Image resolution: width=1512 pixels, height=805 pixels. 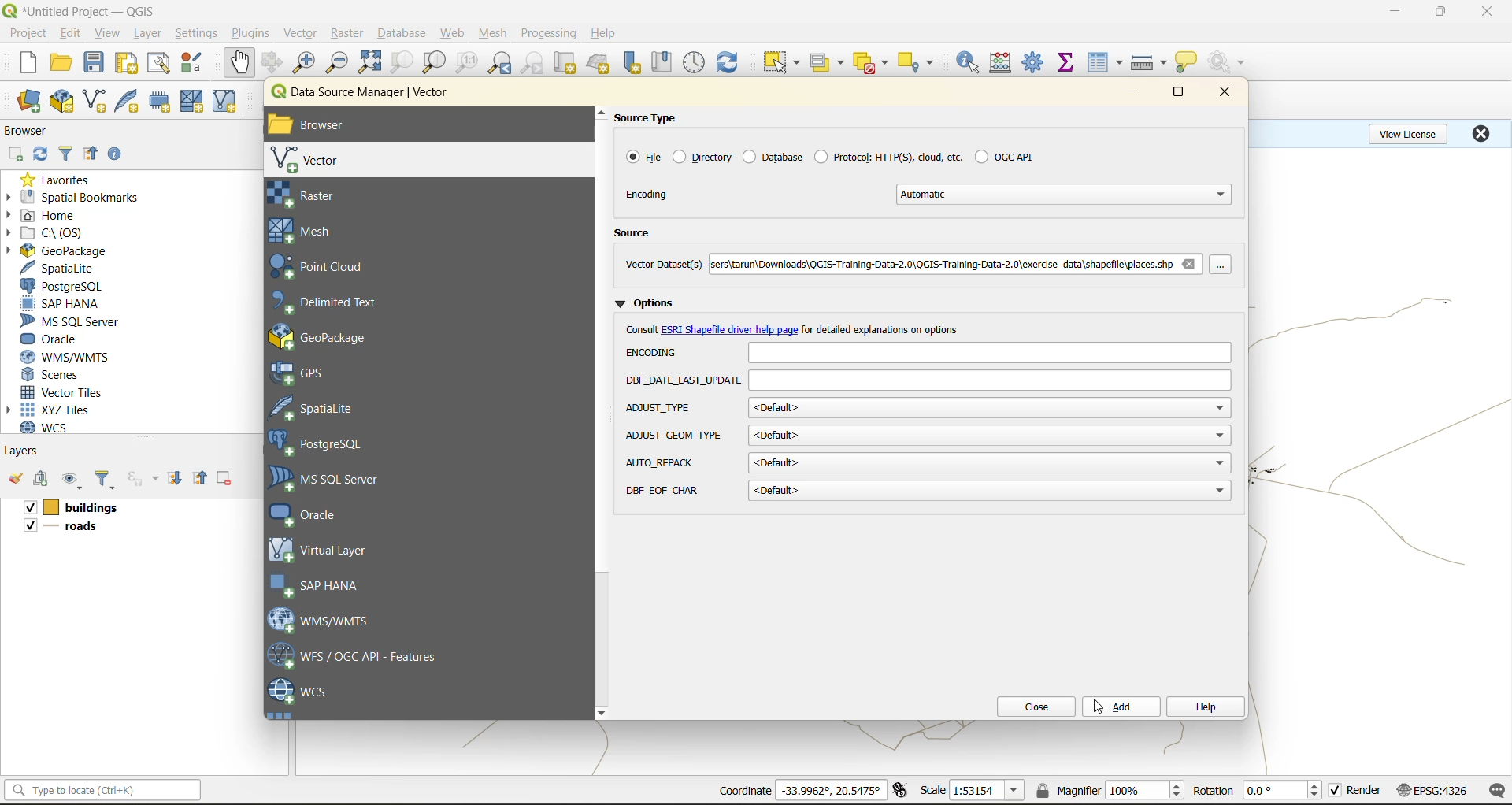 What do you see at coordinates (239, 63) in the screenshot?
I see `pan map` at bounding box center [239, 63].